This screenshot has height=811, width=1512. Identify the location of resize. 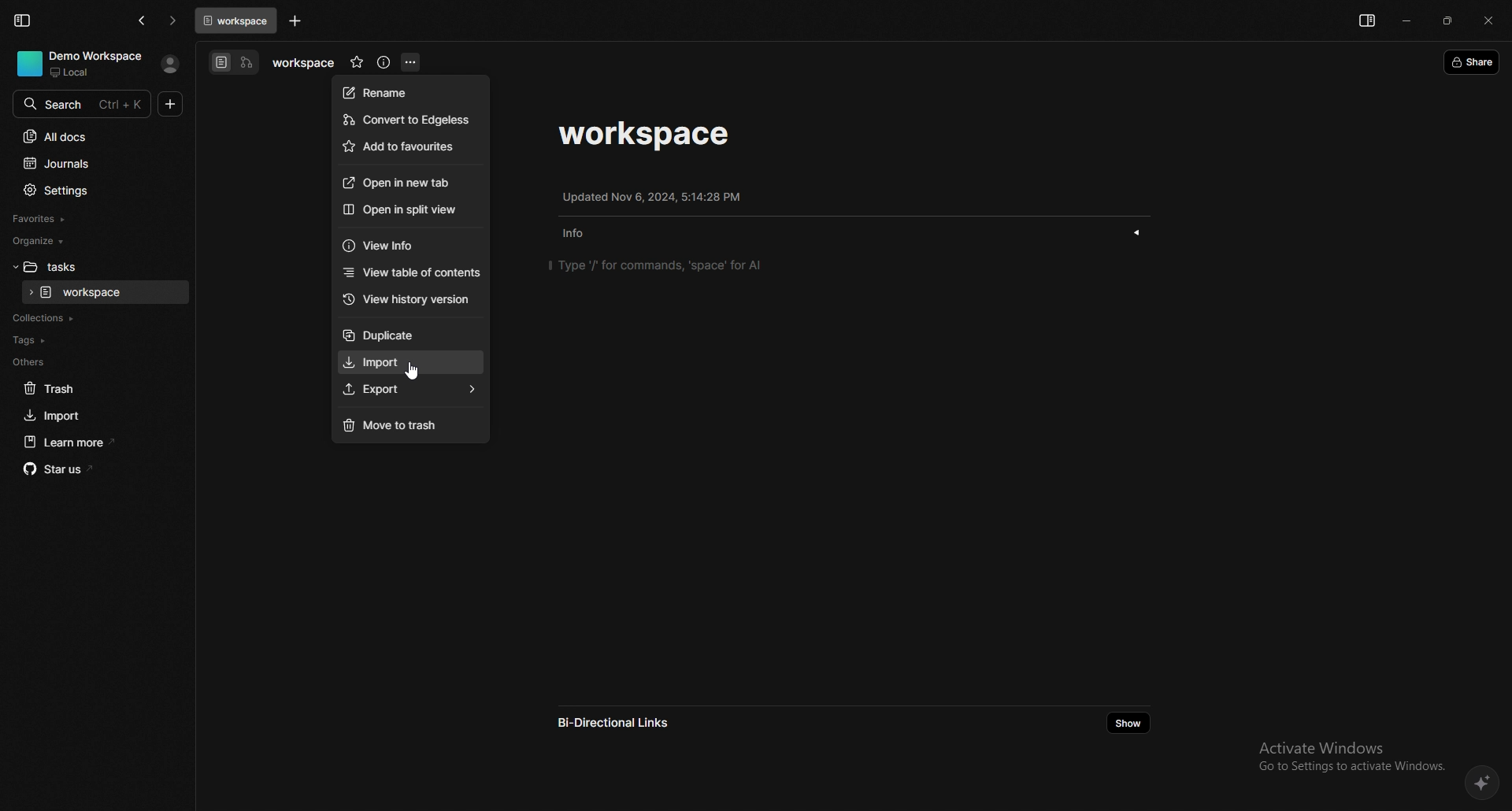
(1448, 21).